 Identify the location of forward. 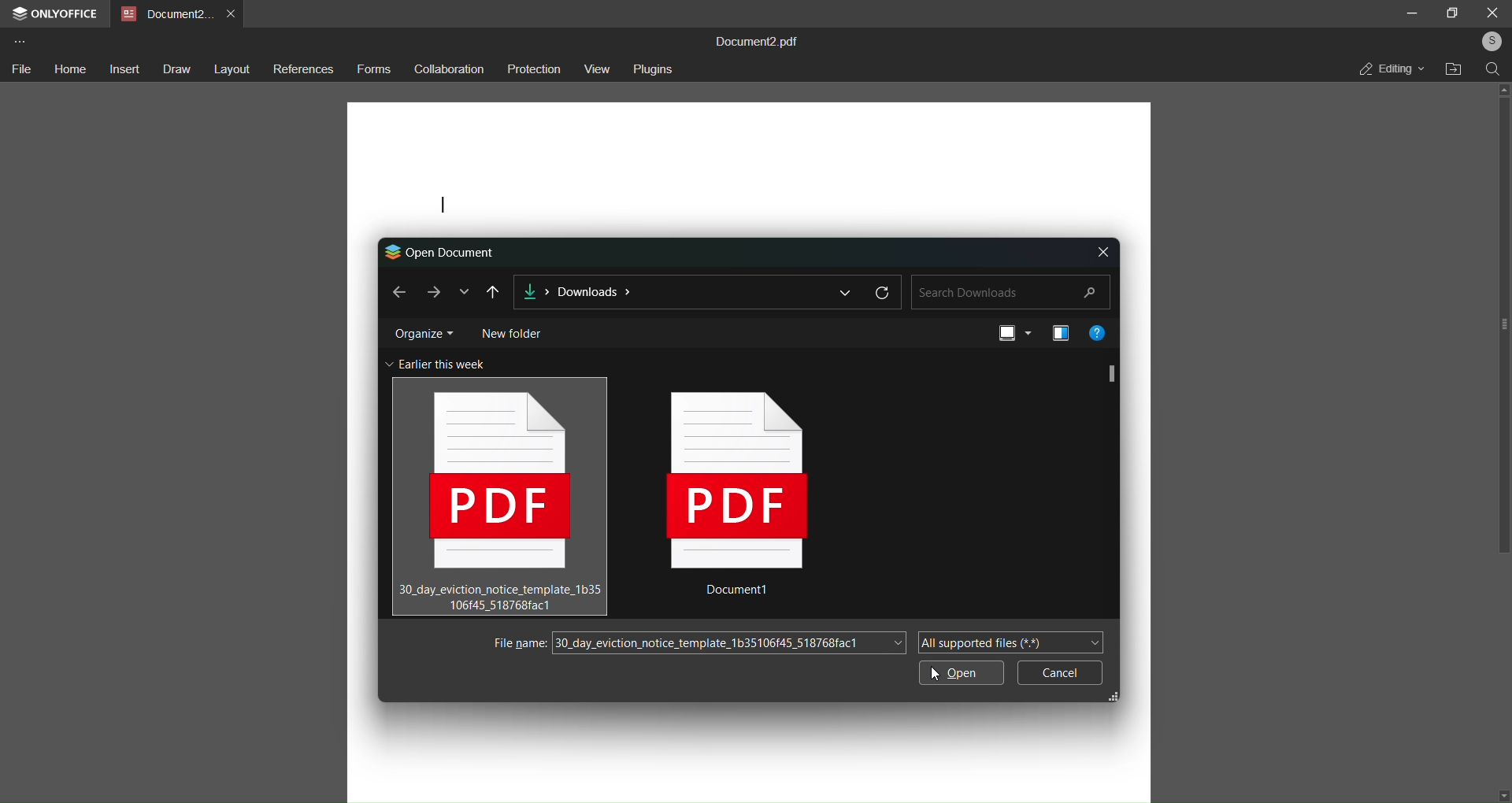
(431, 291).